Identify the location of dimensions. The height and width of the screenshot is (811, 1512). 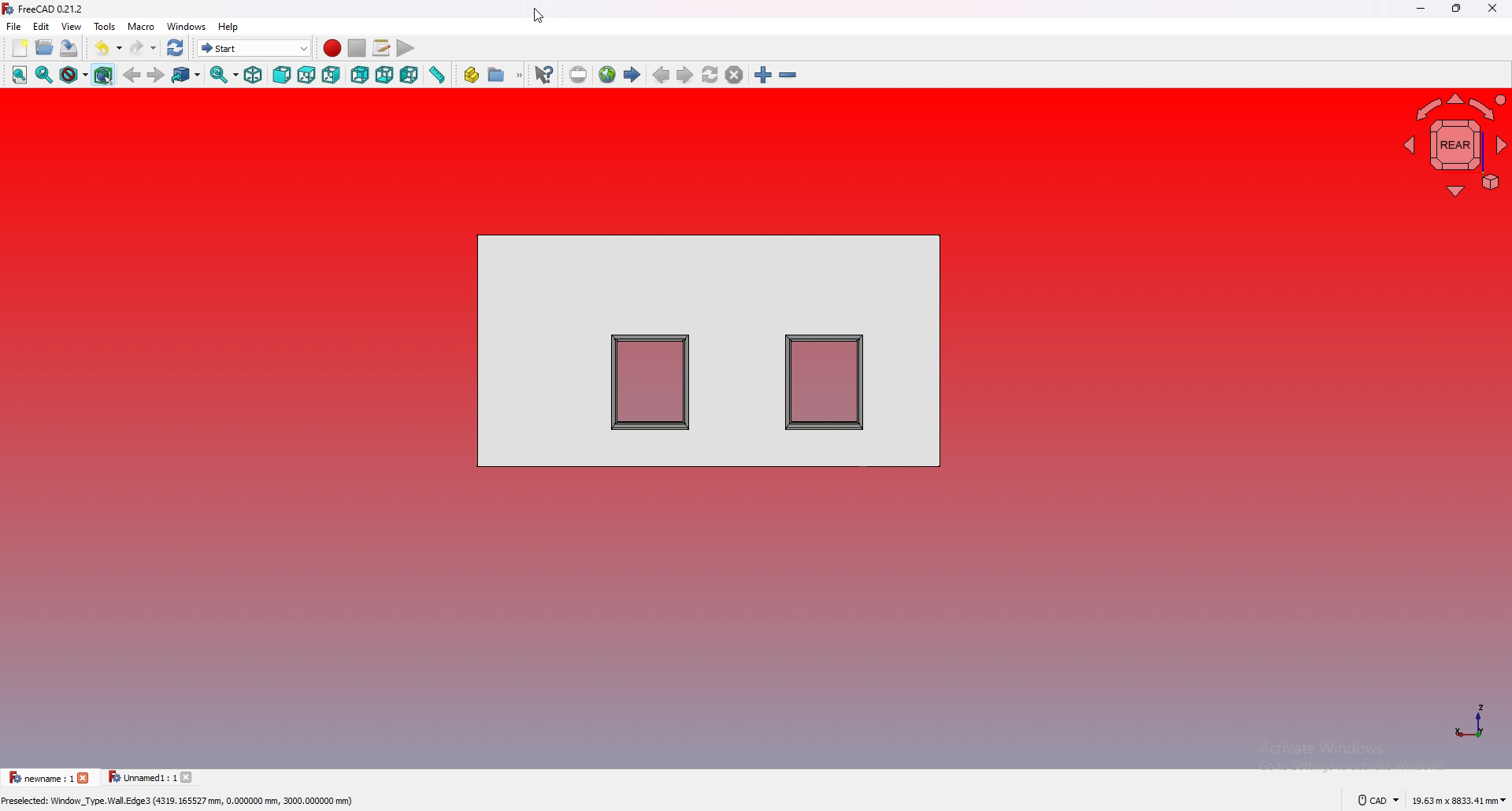
(1459, 802).